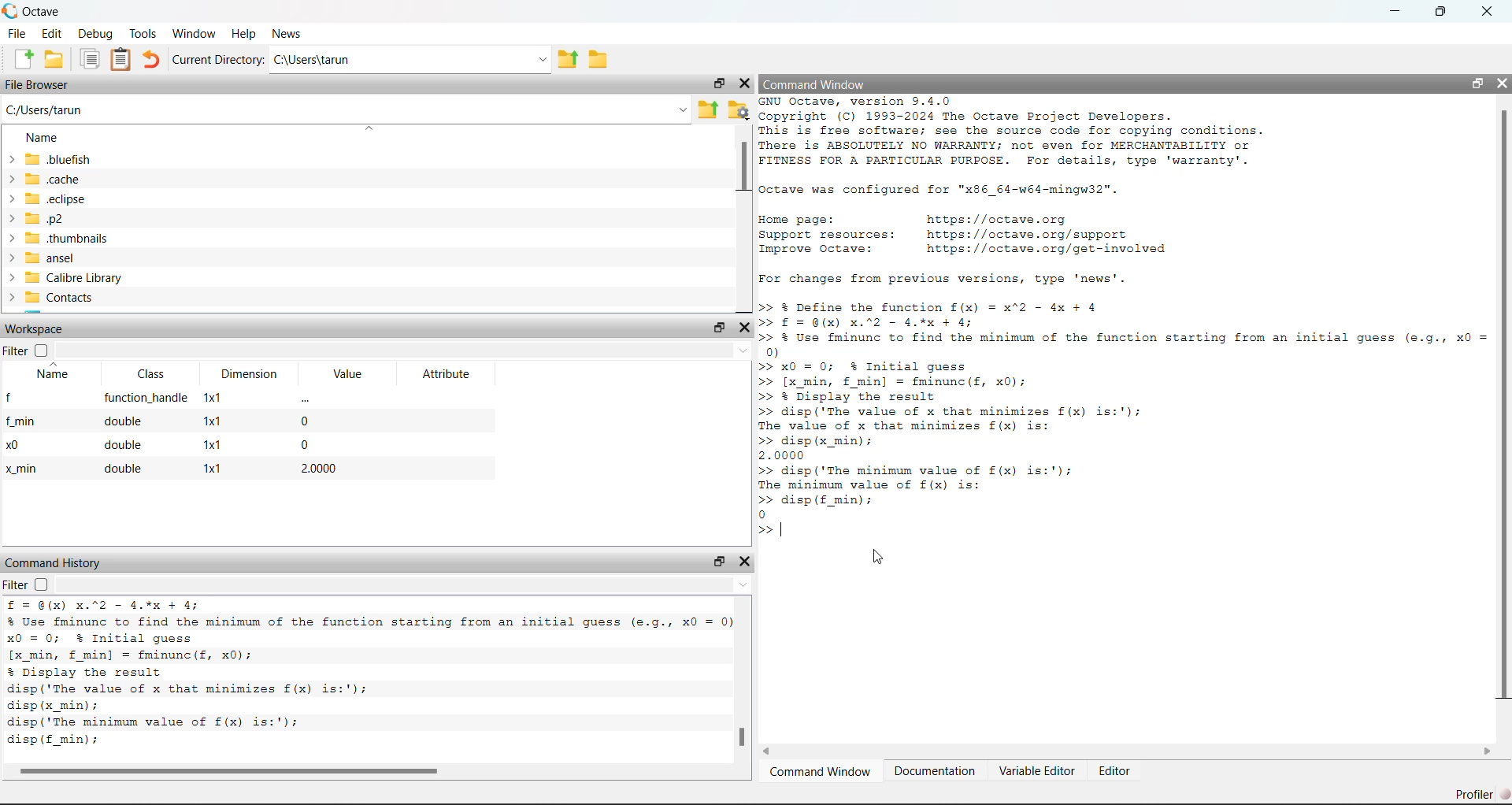  Describe the element at coordinates (48, 374) in the screenshot. I see `Name` at that location.